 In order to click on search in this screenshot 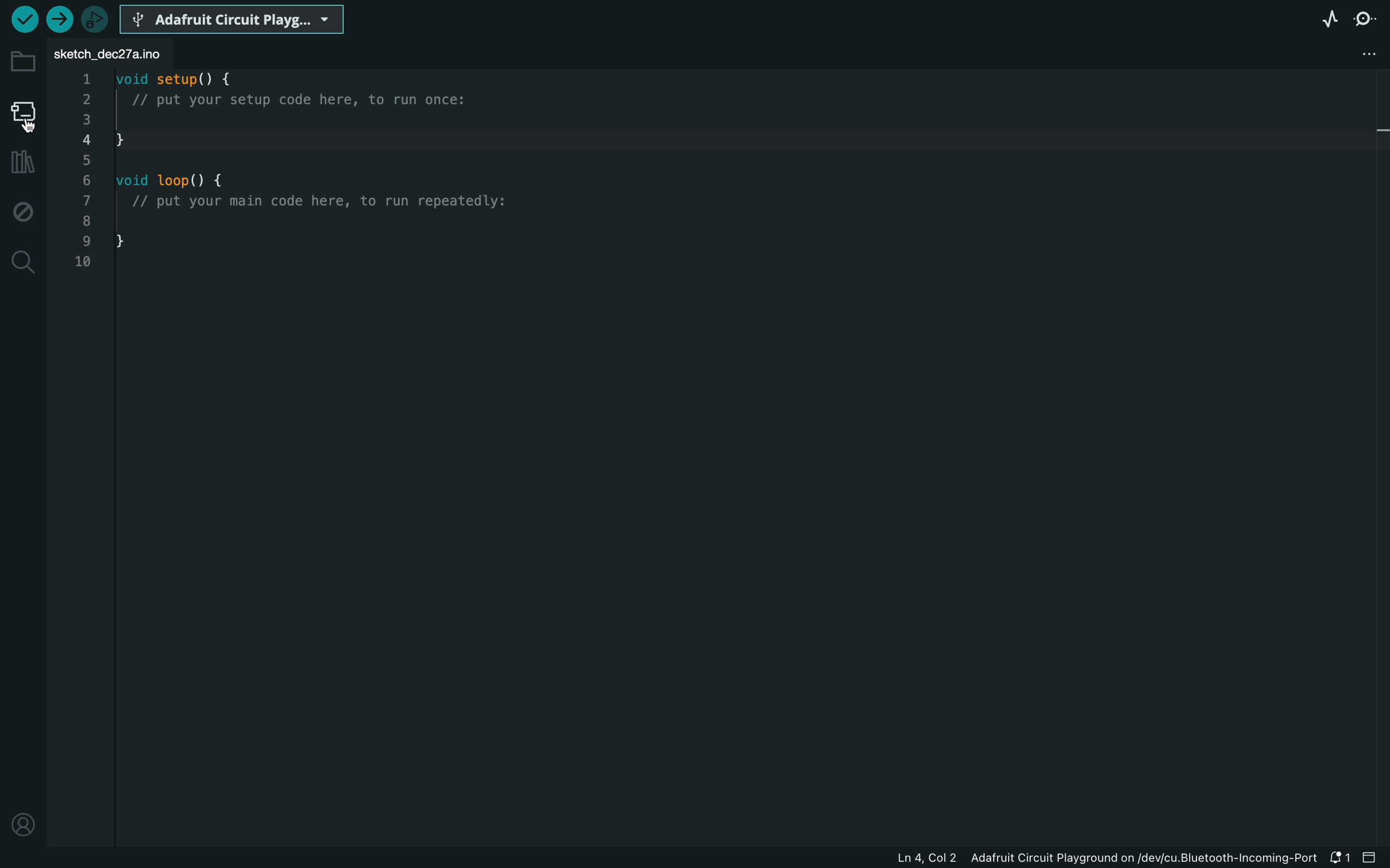, I will do `click(25, 261)`.